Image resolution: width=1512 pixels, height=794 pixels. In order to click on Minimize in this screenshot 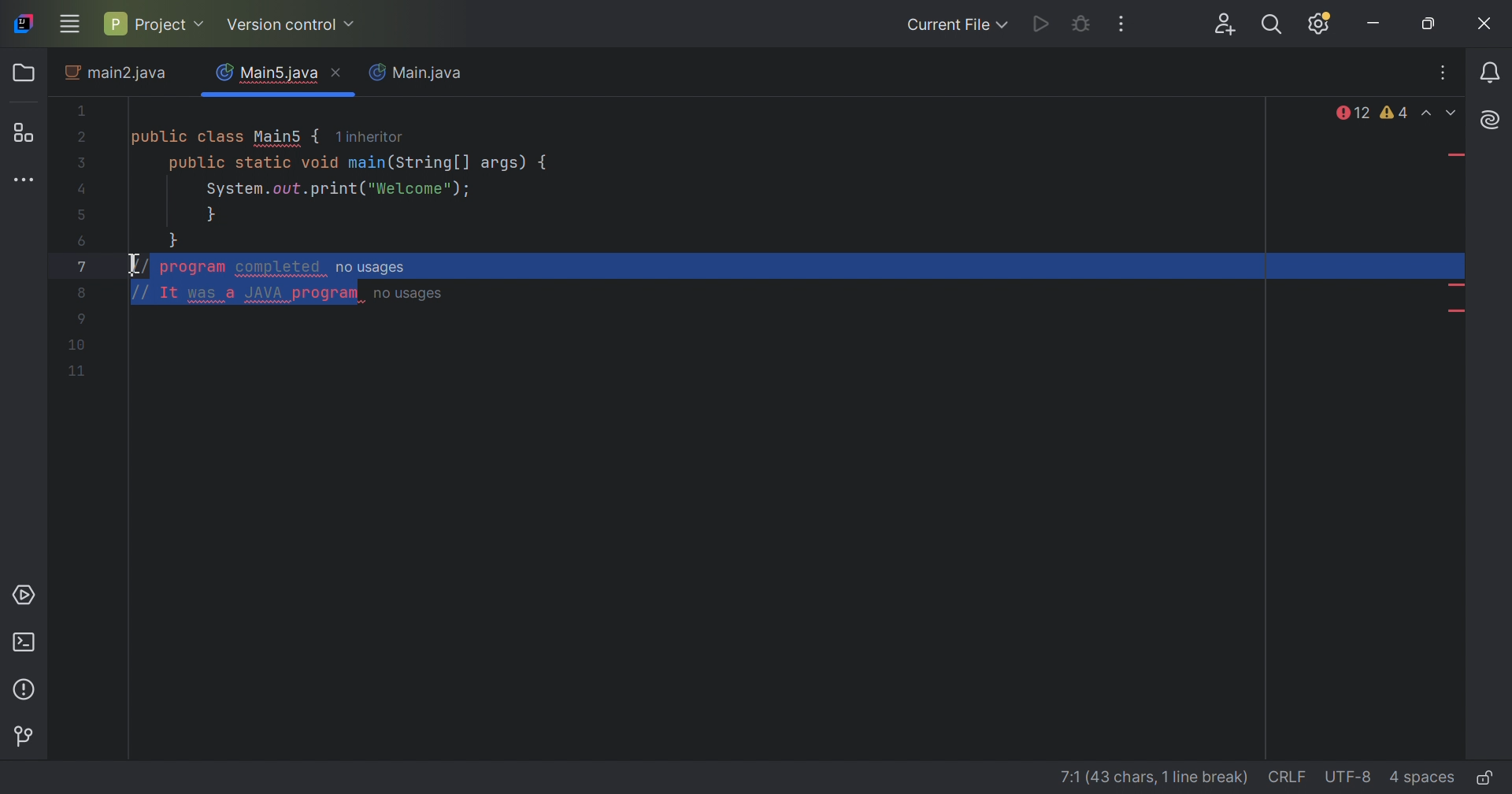, I will do `click(1373, 28)`.